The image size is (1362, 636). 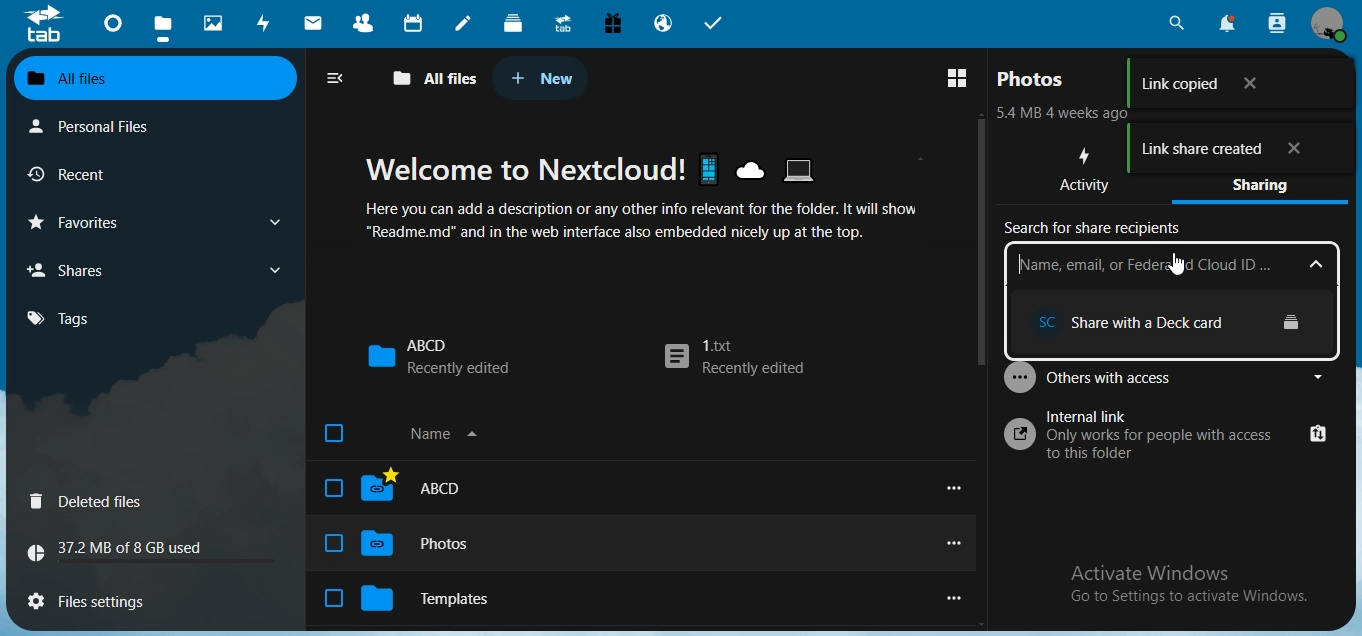 I want to click on Photos, so click(x=438, y=547).